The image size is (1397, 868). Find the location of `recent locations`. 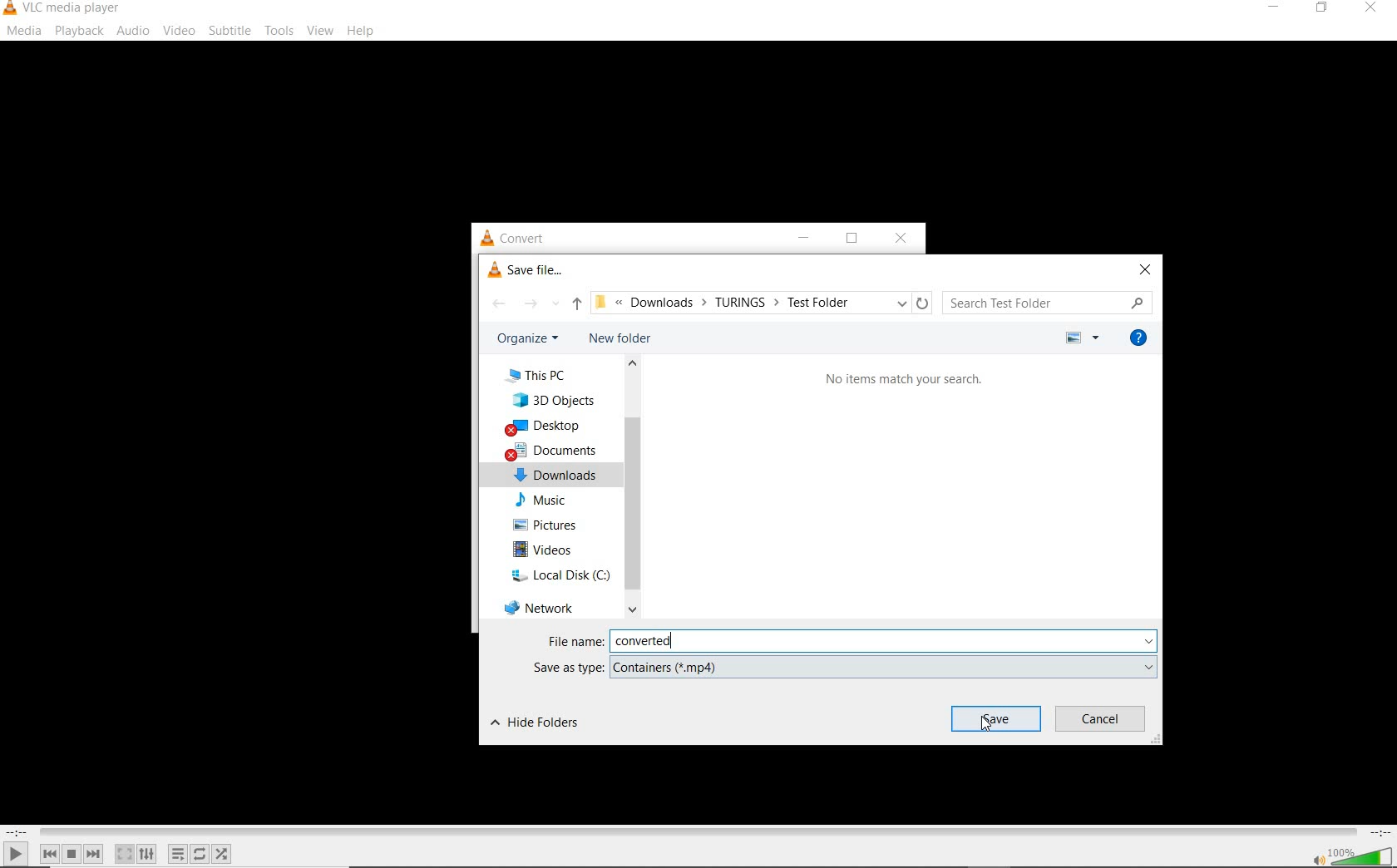

recent locations is located at coordinates (555, 302).